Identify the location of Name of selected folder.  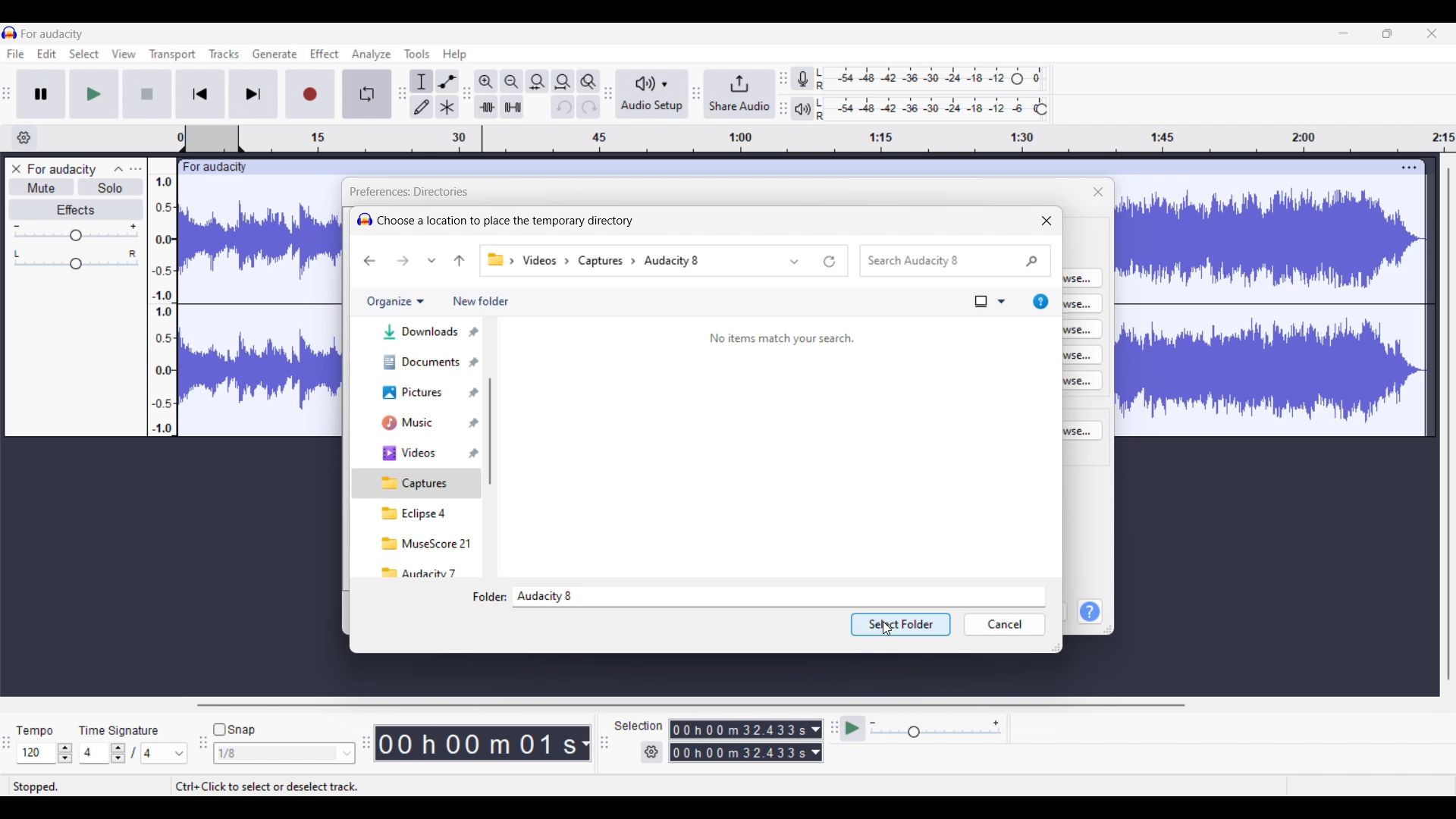
(546, 596).